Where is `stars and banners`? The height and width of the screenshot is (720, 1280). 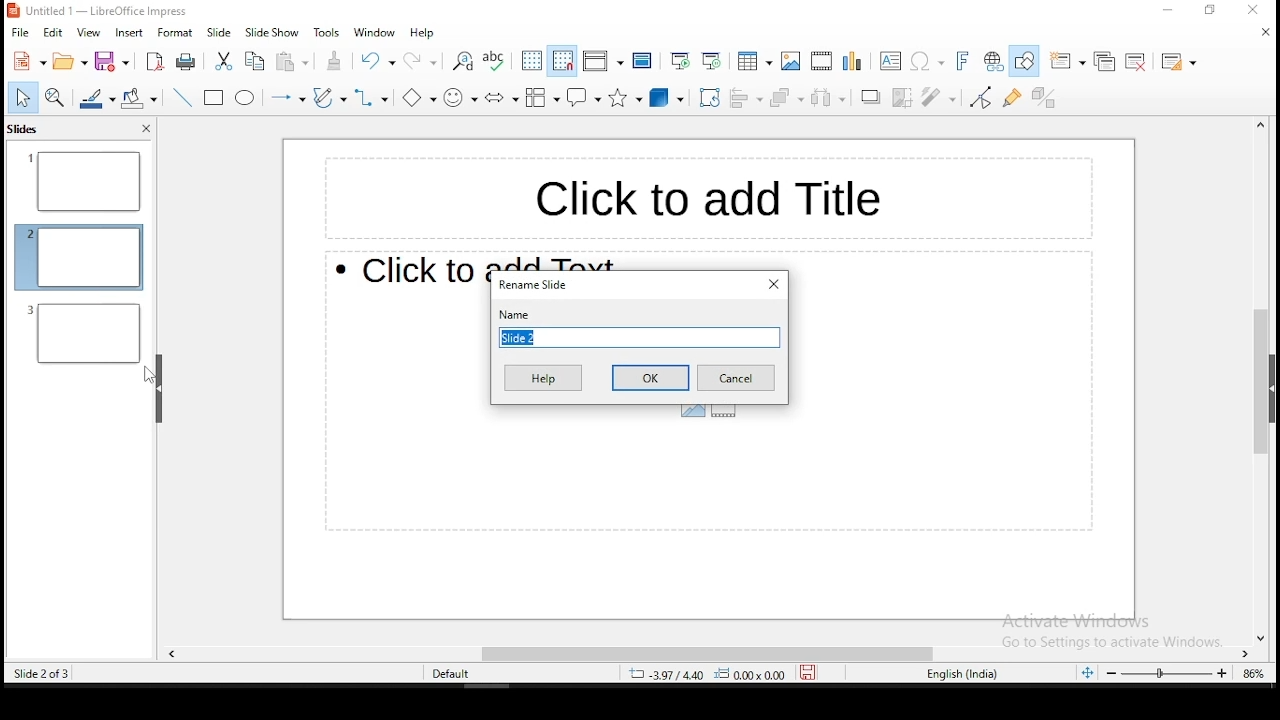 stars and banners is located at coordinates (628, 99).